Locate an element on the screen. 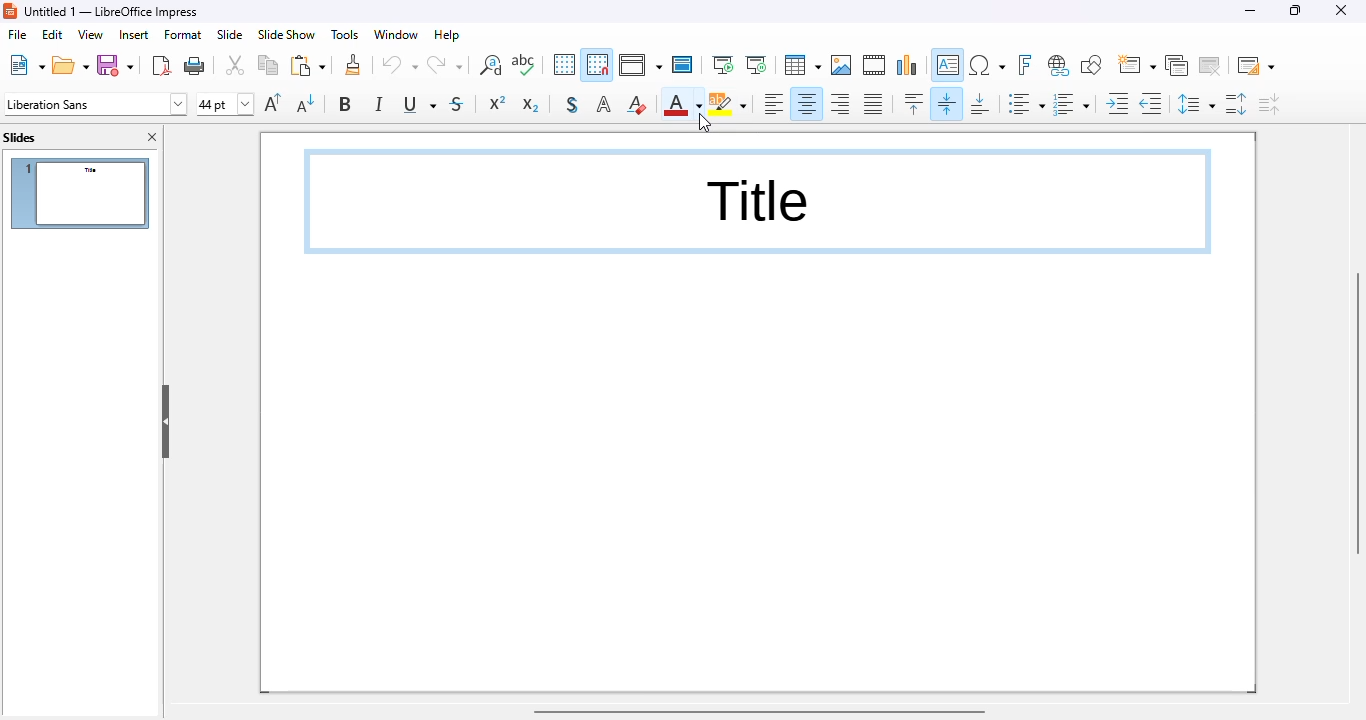 Image resolution: width=1366 pixels, height=720 pixels. underline is located at coordinates (419, 105).